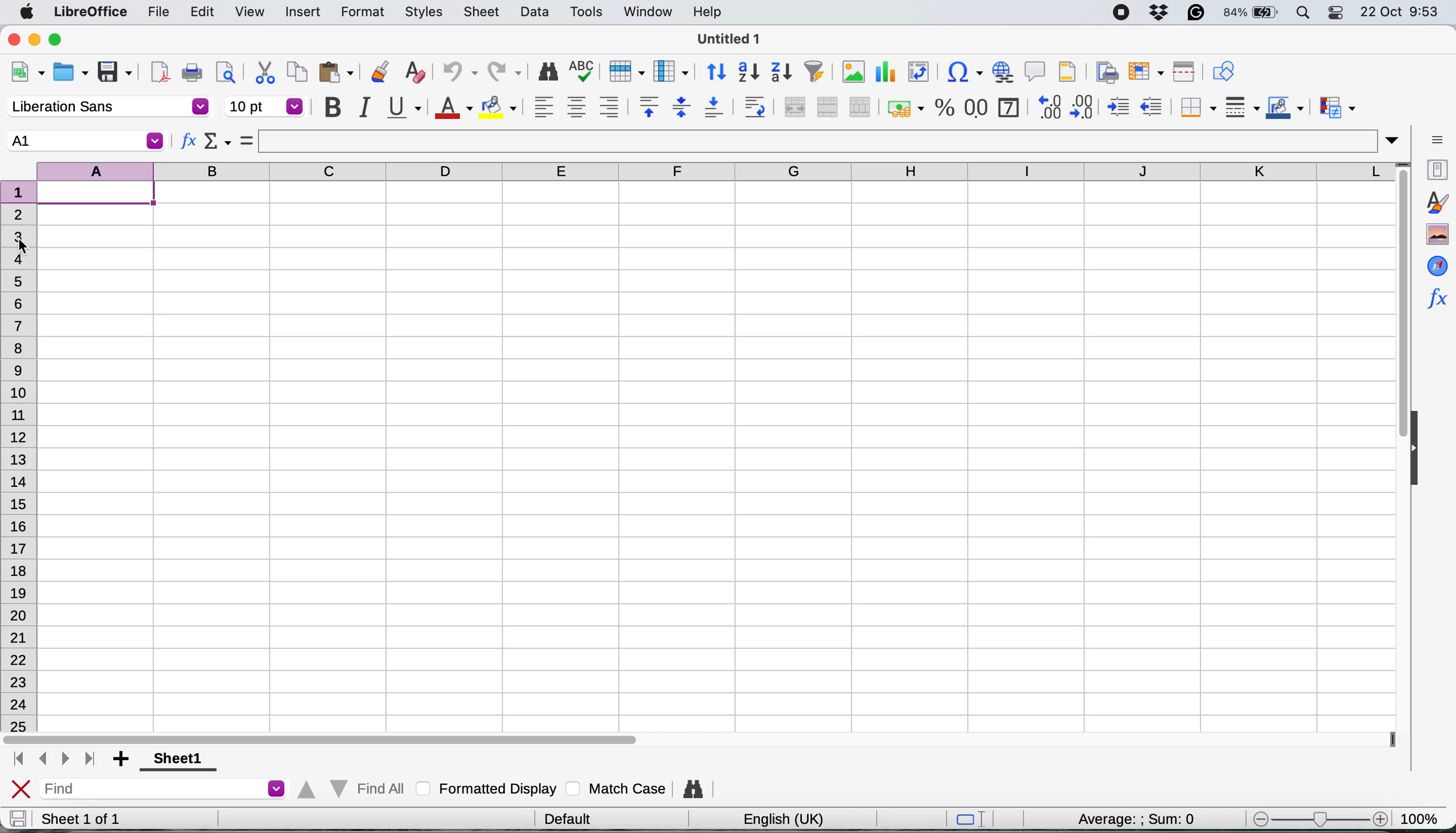 Image resolution: width=1456 pixels, height=833 pixels. What do you see at coordinates (424, 13) in the screenshot?
I see `styles` at bounding box center [424, 13].